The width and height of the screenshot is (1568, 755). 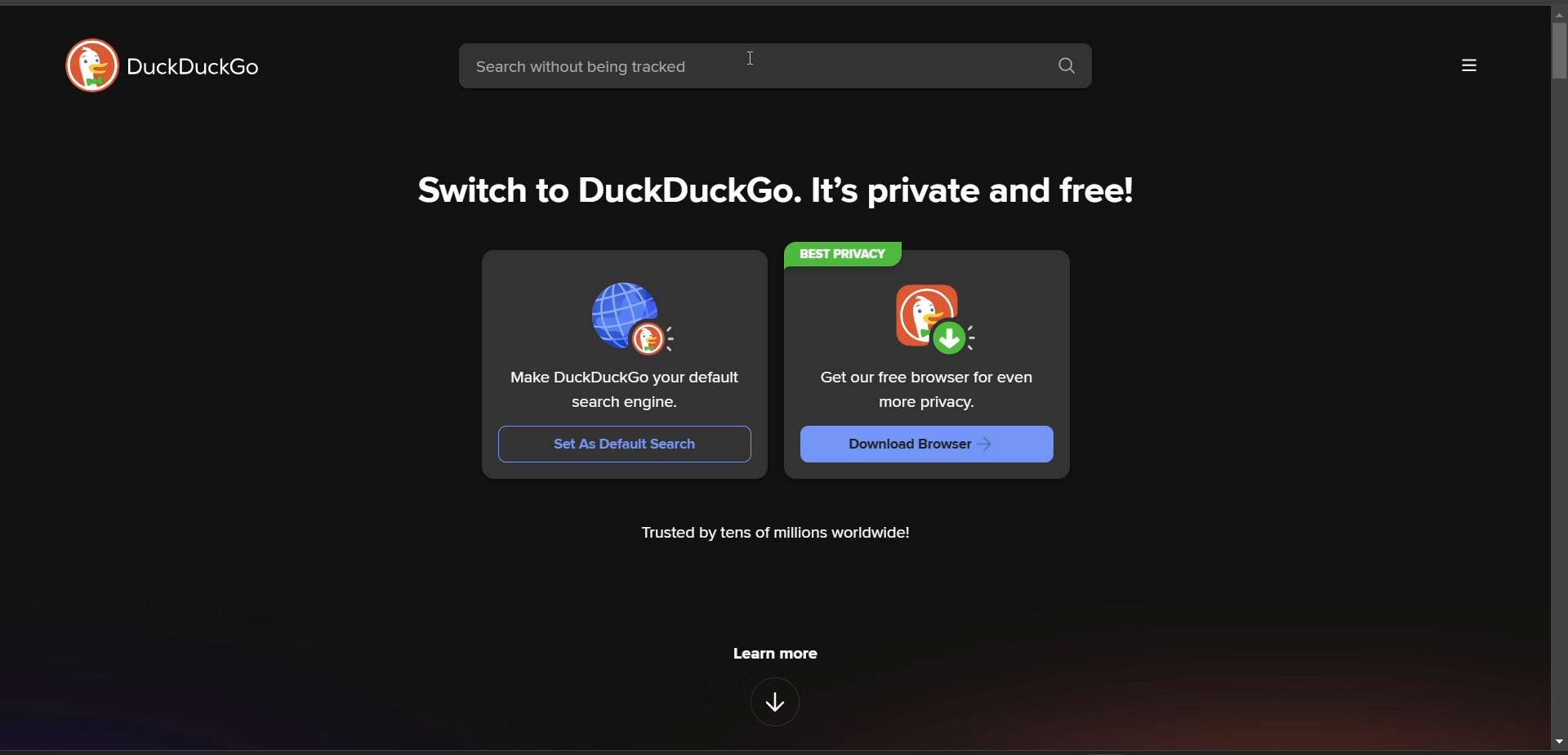 I want to click on cursor, so click(x=751, y=57).